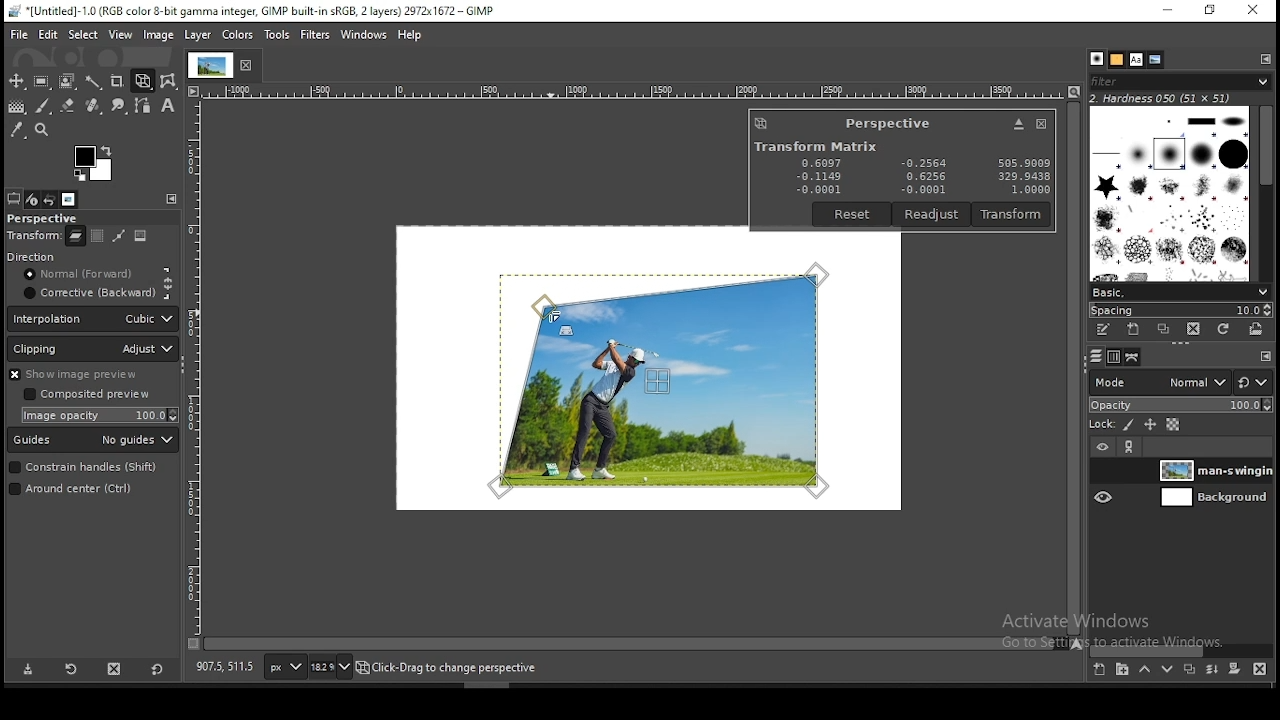 This screenshot has height=720, width=1280. I want to click on , so click(1018, 124).